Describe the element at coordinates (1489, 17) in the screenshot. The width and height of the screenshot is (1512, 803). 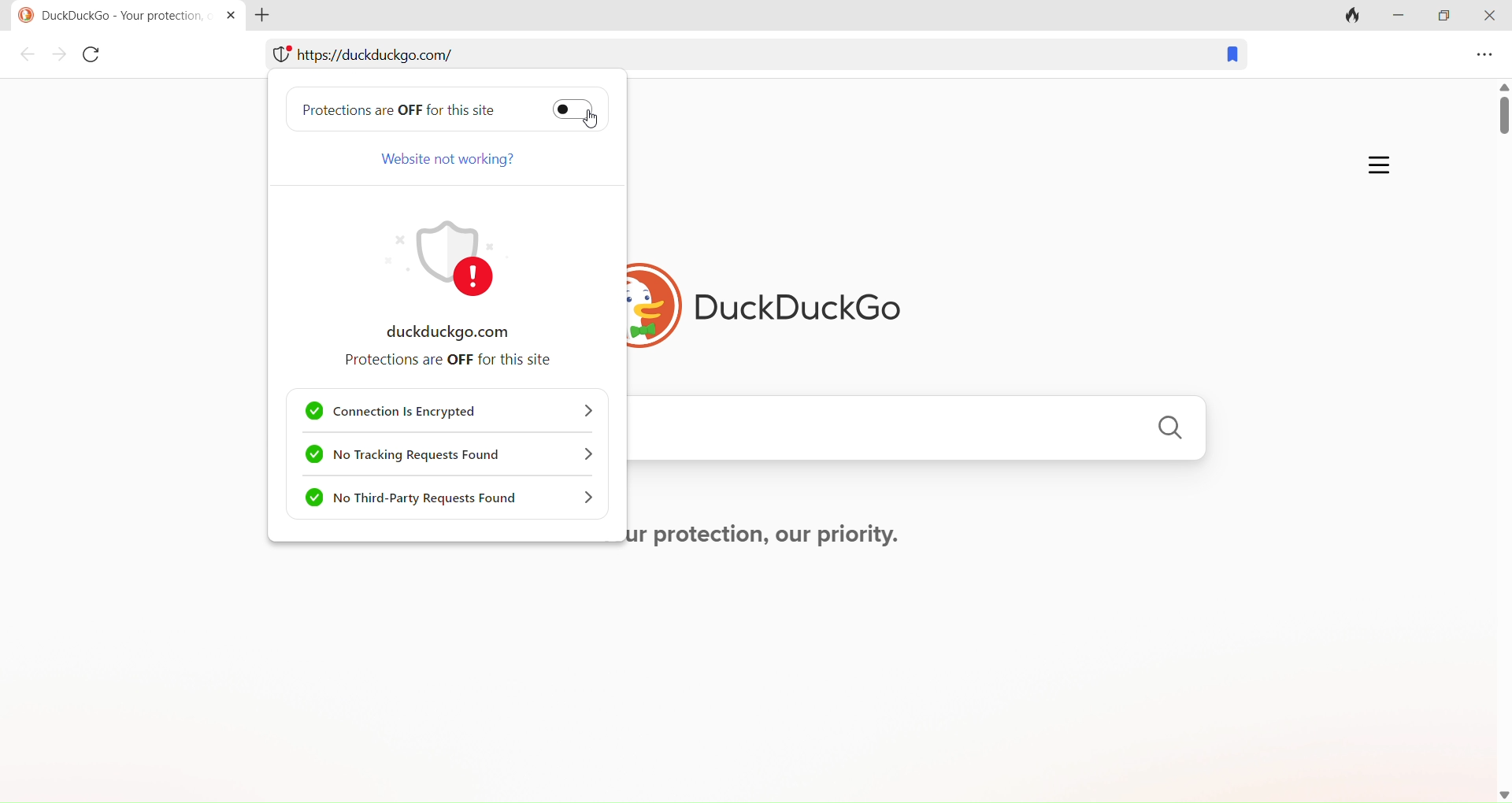
I see `close` at that location.